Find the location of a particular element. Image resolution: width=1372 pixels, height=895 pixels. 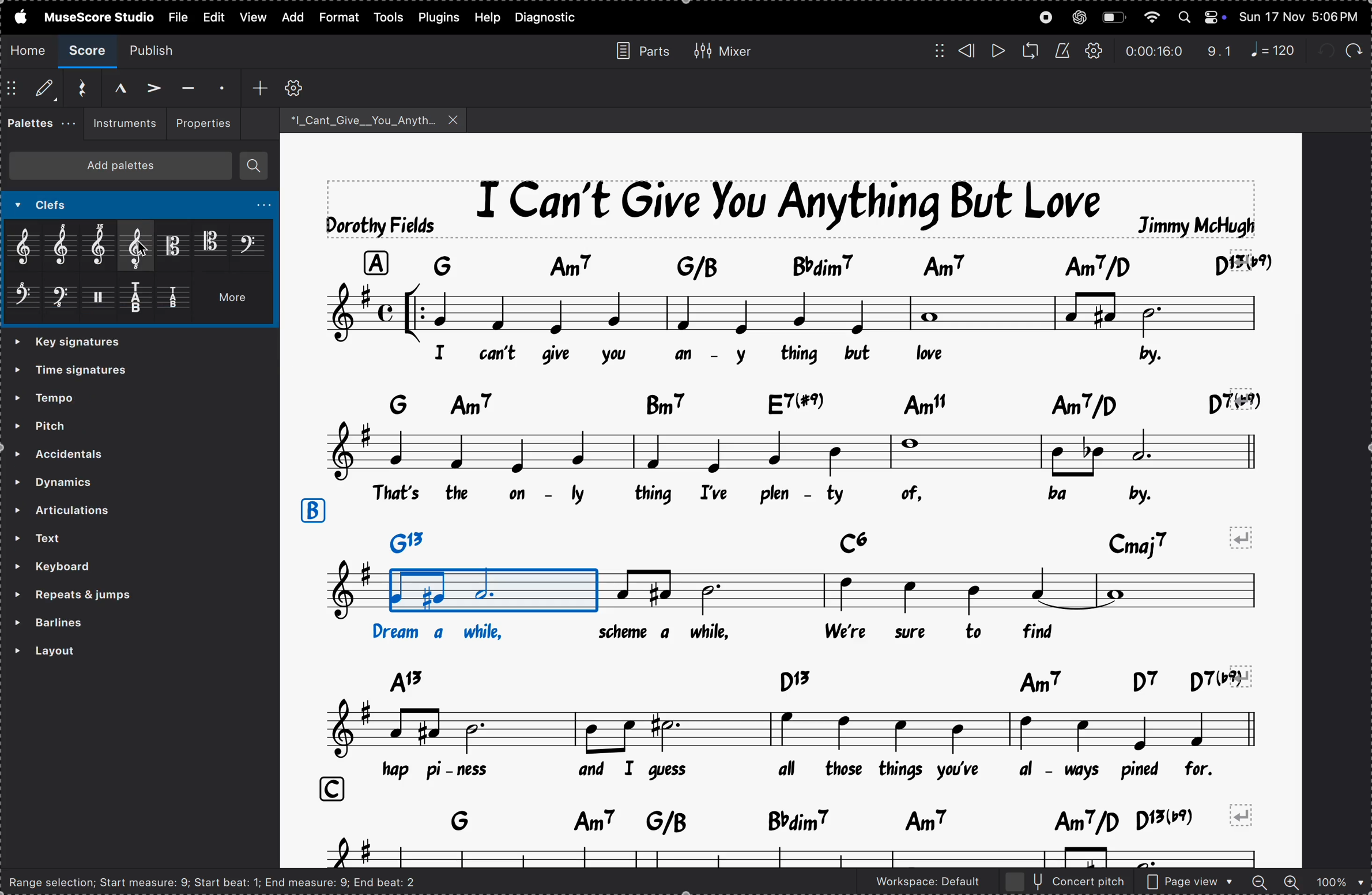

instrument is located at coordinates (120, 124).